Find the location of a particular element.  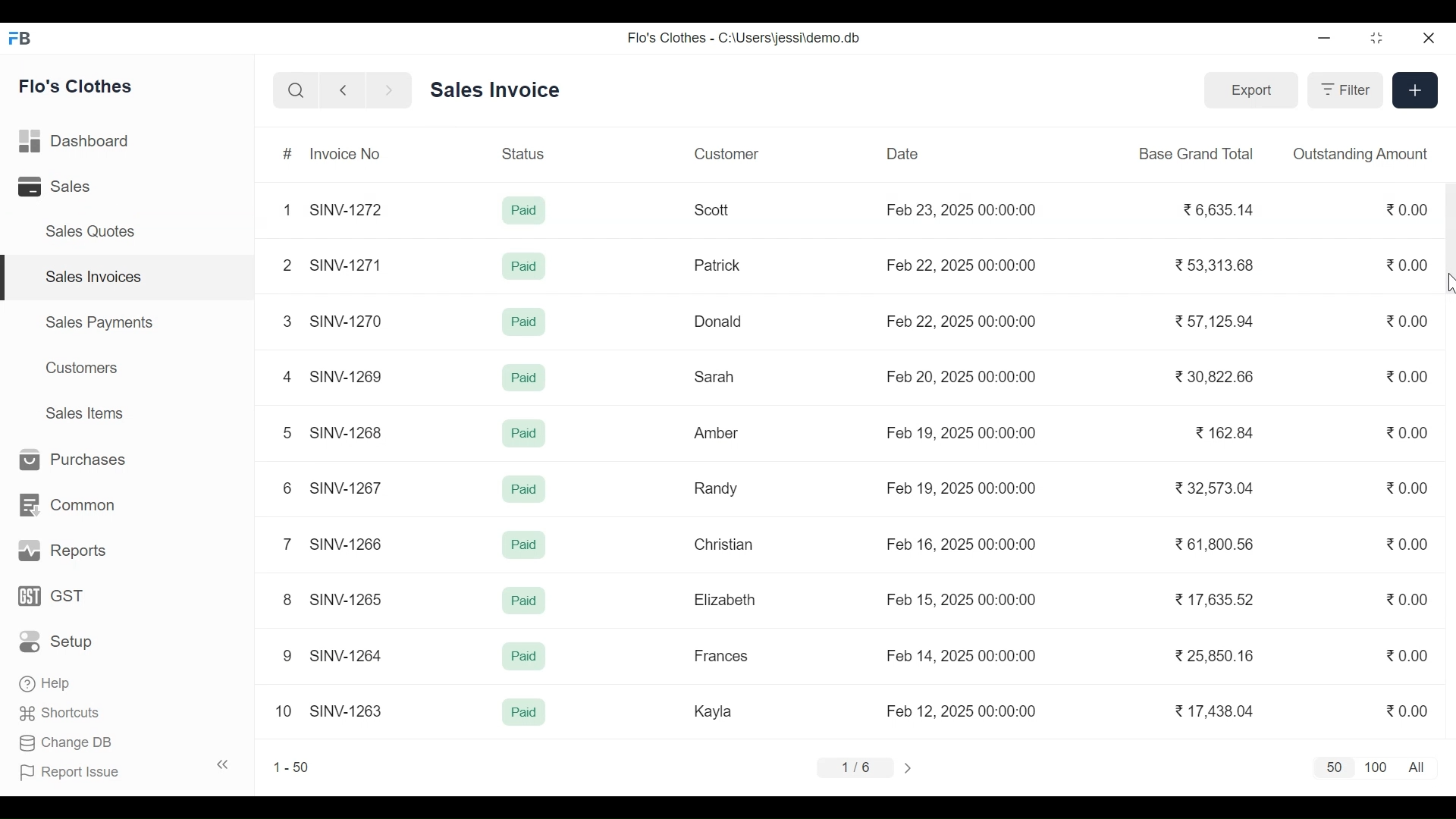

Sales Items is located at coordinates (83, 413).